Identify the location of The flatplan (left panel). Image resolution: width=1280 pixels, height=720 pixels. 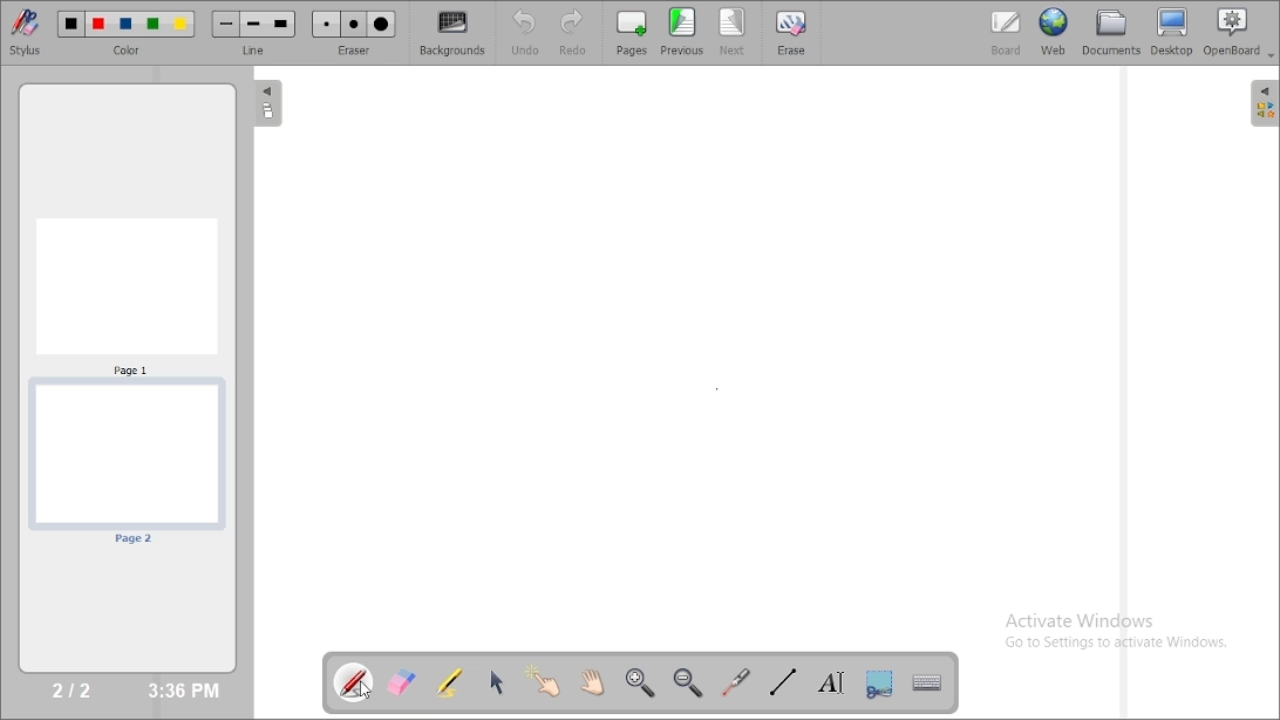
(266, 105).